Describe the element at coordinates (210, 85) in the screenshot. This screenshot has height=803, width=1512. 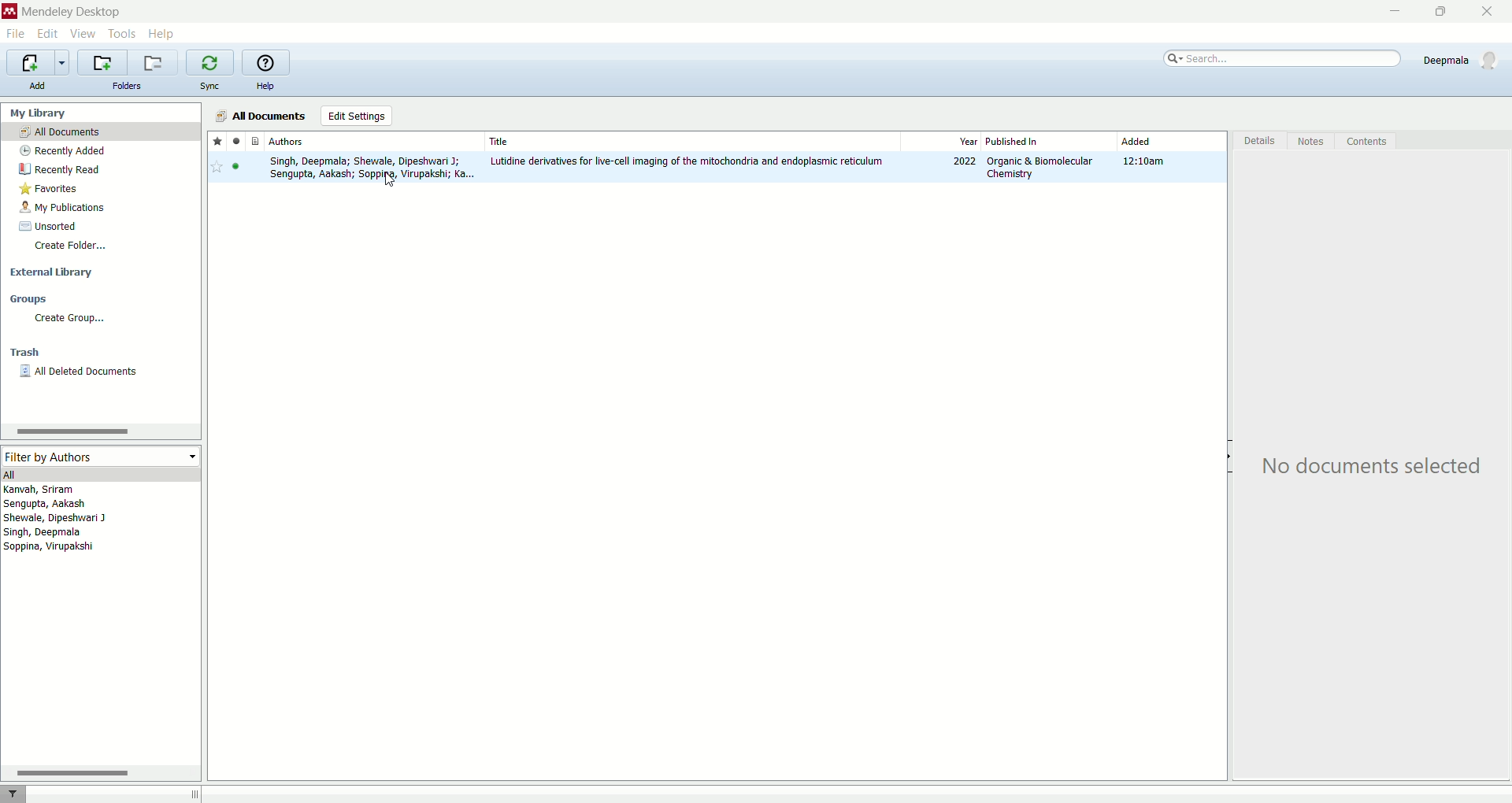
I see `sync` at that location.